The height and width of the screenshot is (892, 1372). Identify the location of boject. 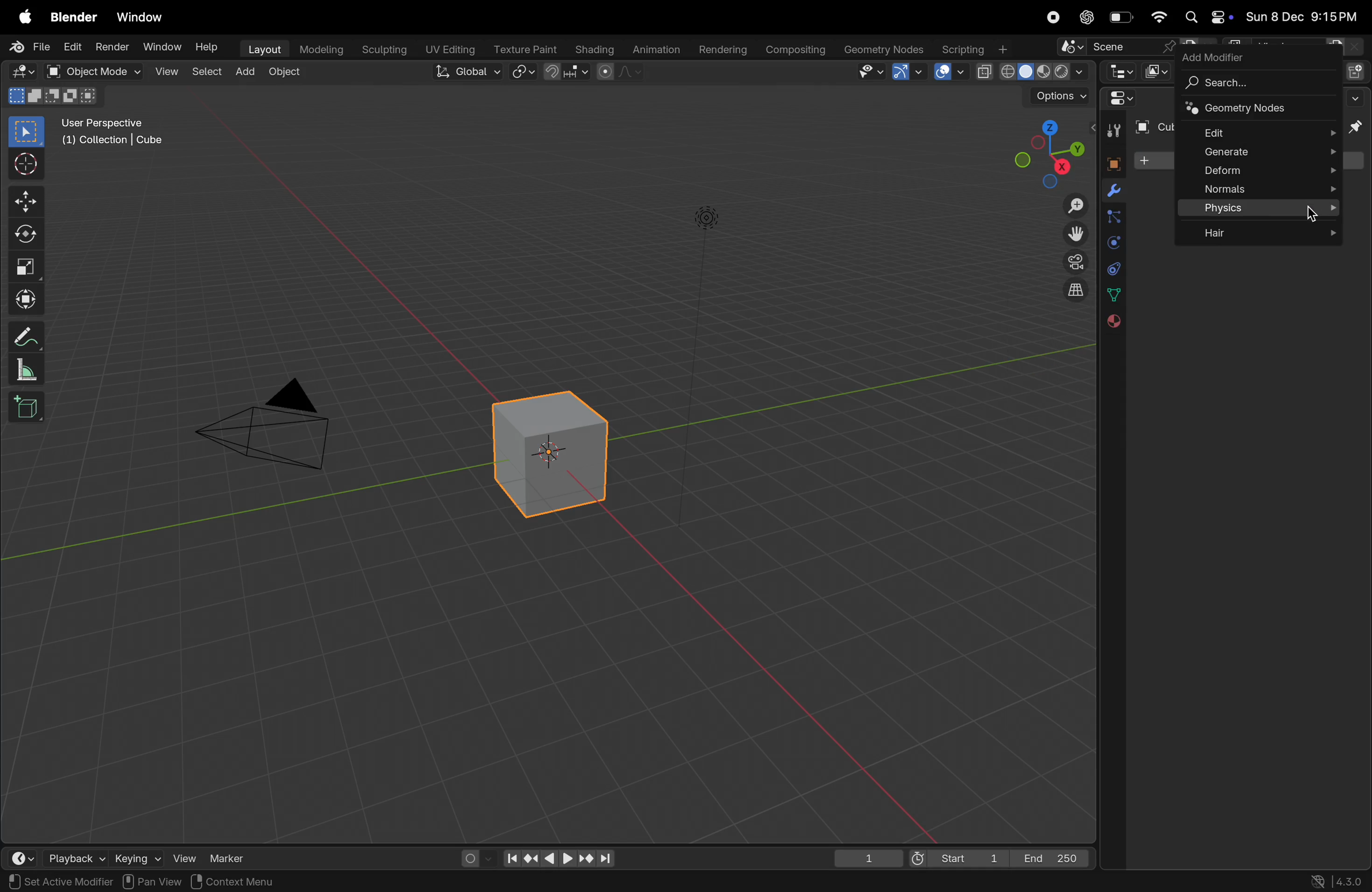
(556, 453).